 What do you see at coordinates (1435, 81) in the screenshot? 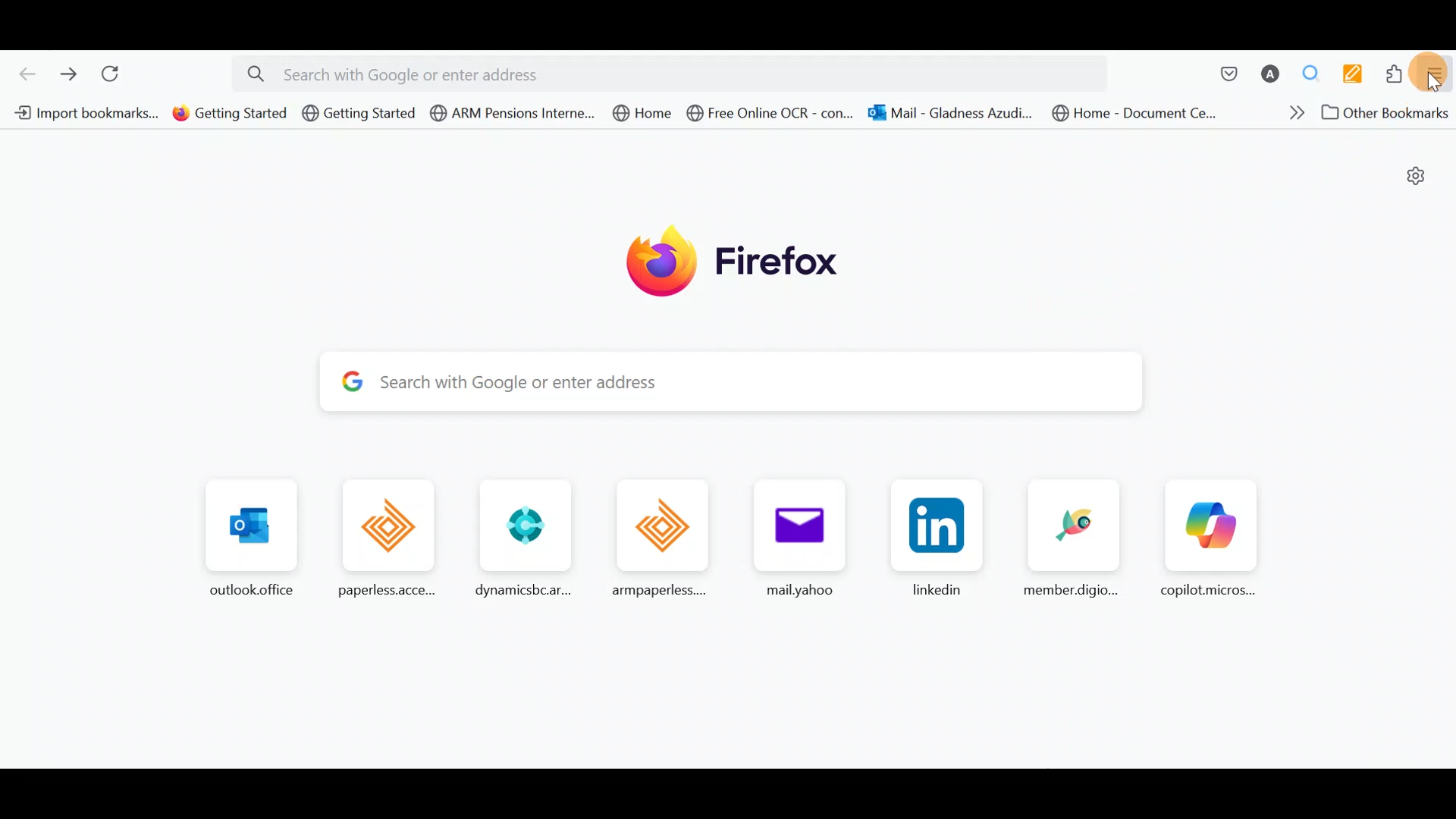
I see `cursor` at bounding box center [1435, 81].